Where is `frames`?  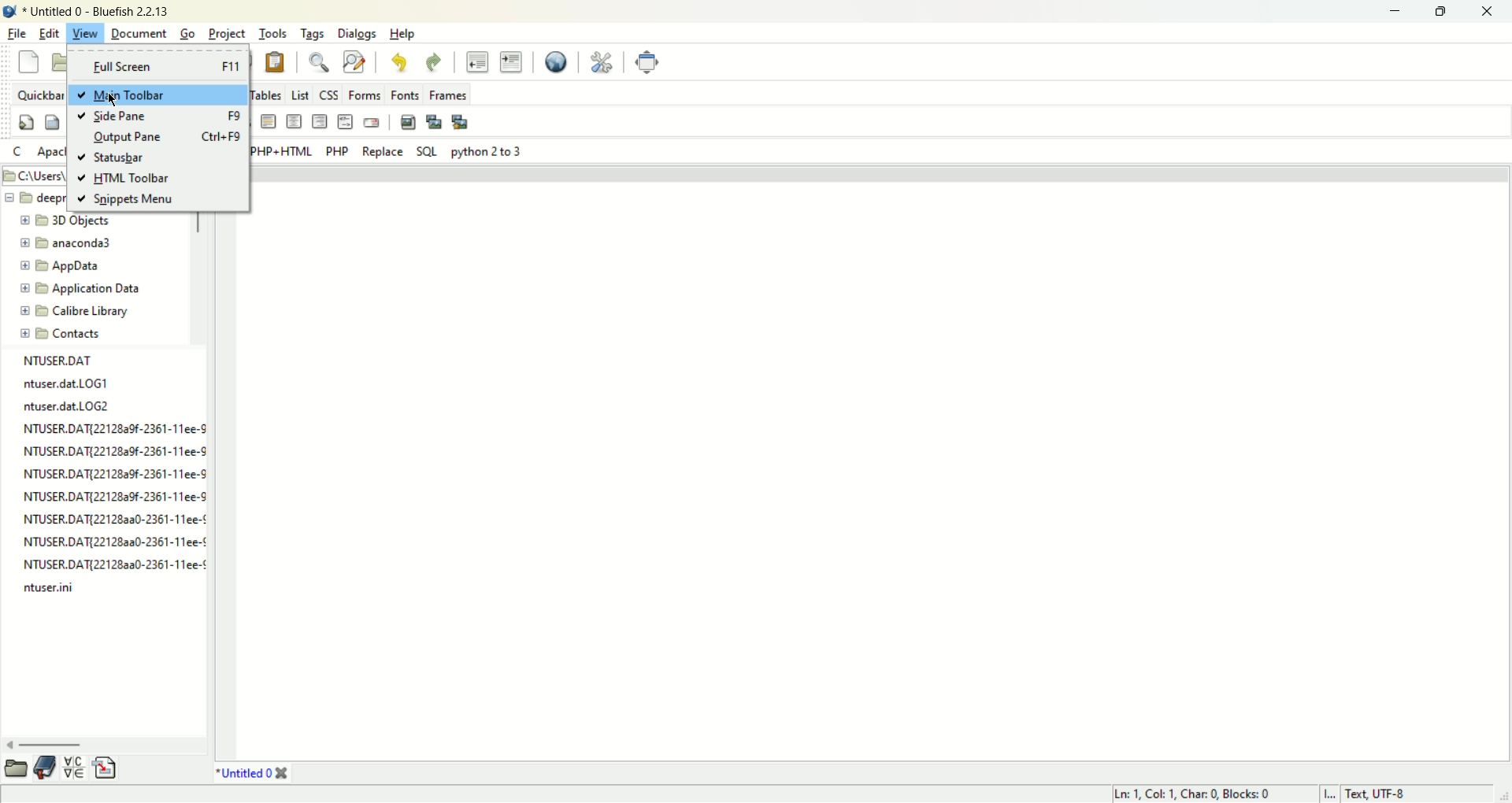
frames is located at coordinates (447, 94).